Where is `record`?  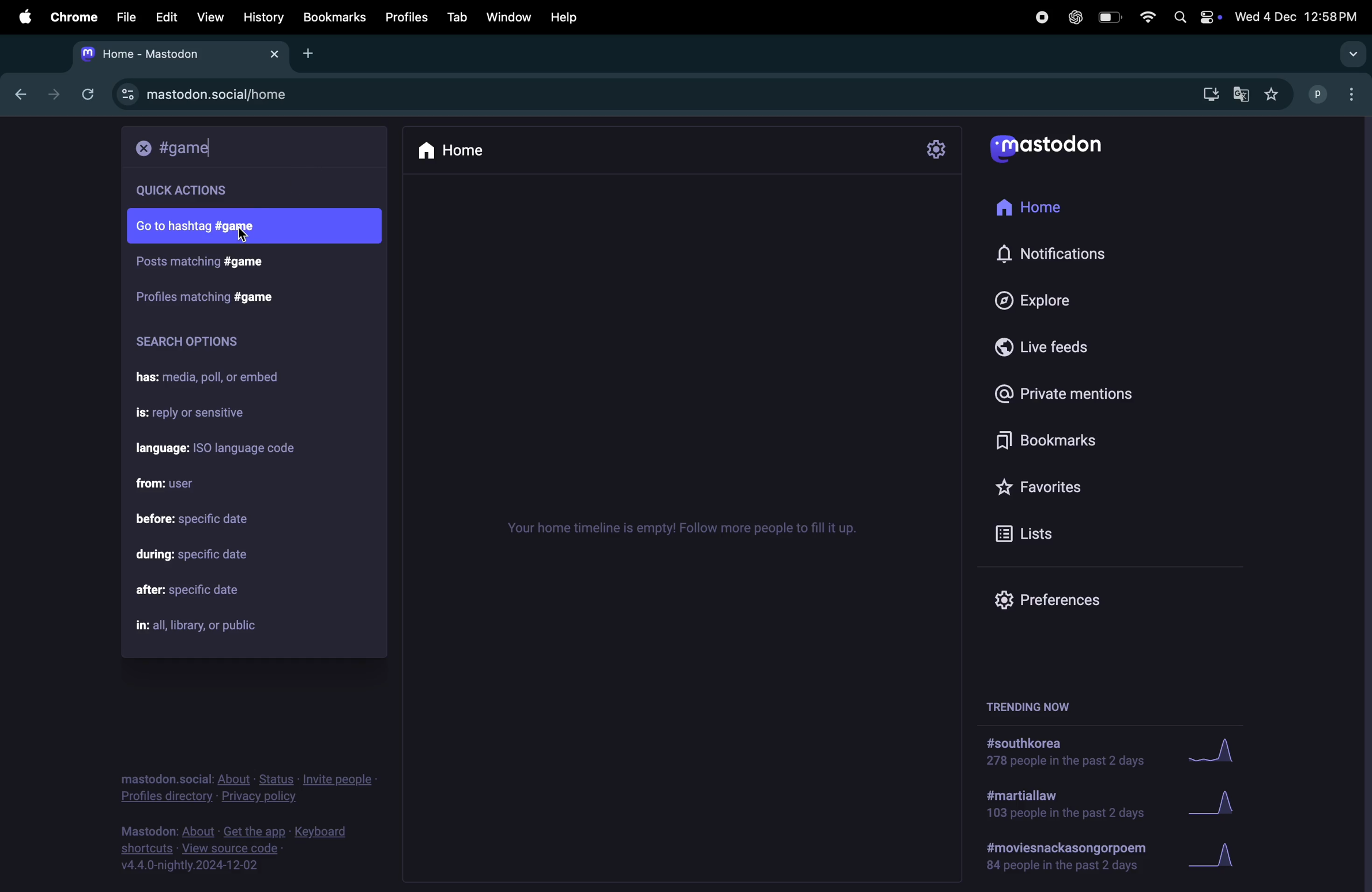
record is located at coordinates (1041, 17).